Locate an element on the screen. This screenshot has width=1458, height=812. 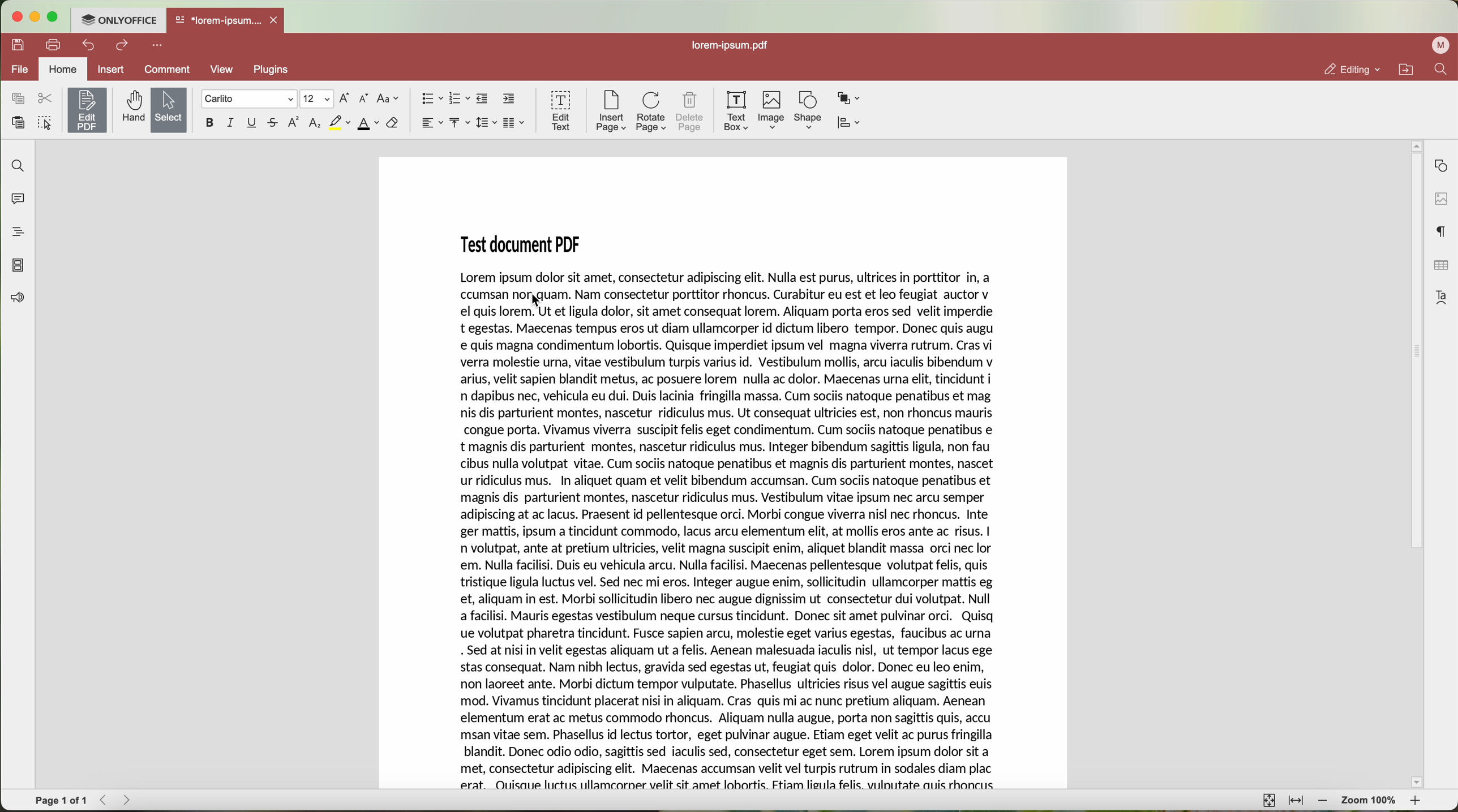
comment is located at coordinates (168, 70).